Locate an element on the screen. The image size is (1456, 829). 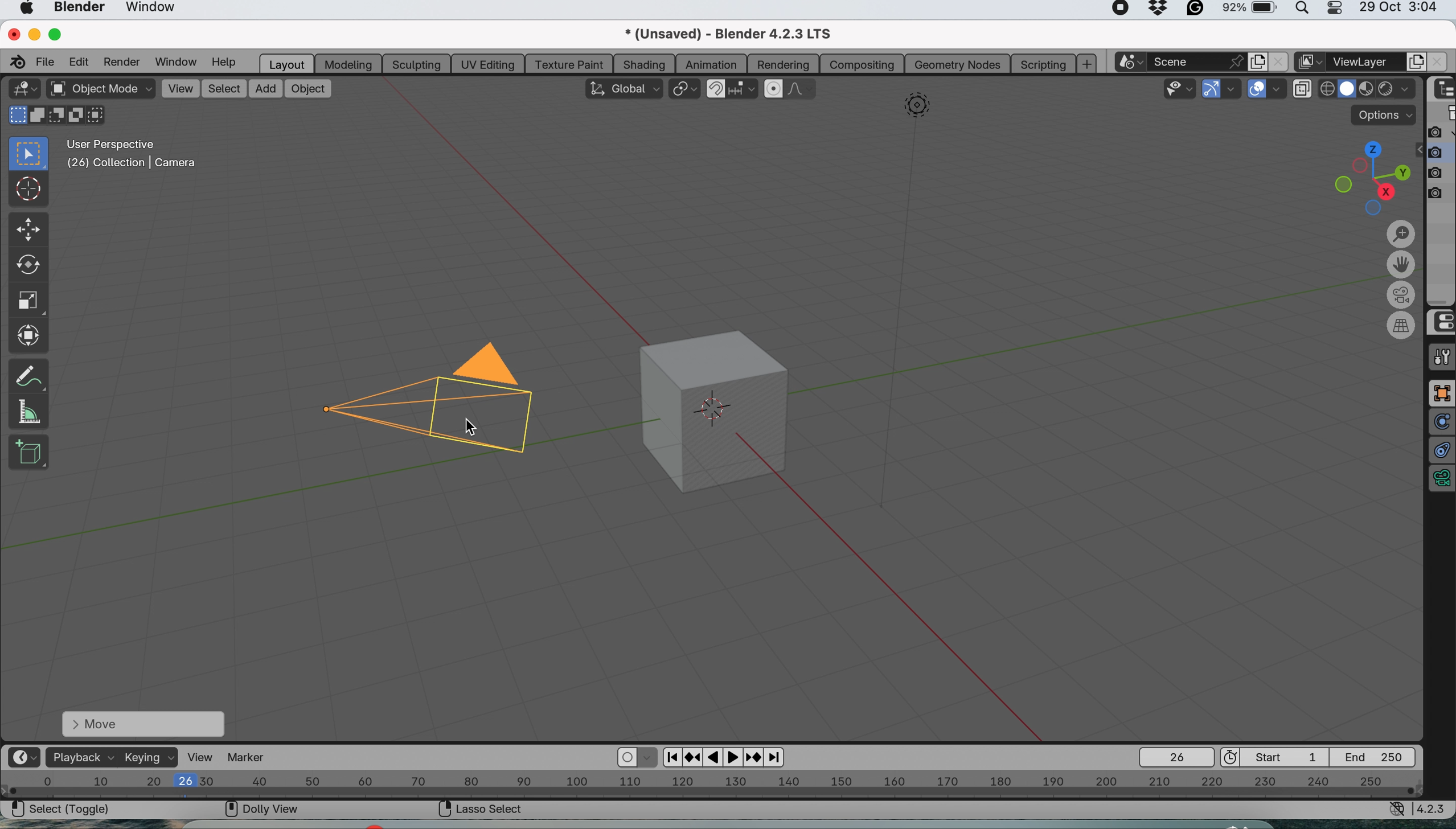
layout is located at coordinates (285, 63).